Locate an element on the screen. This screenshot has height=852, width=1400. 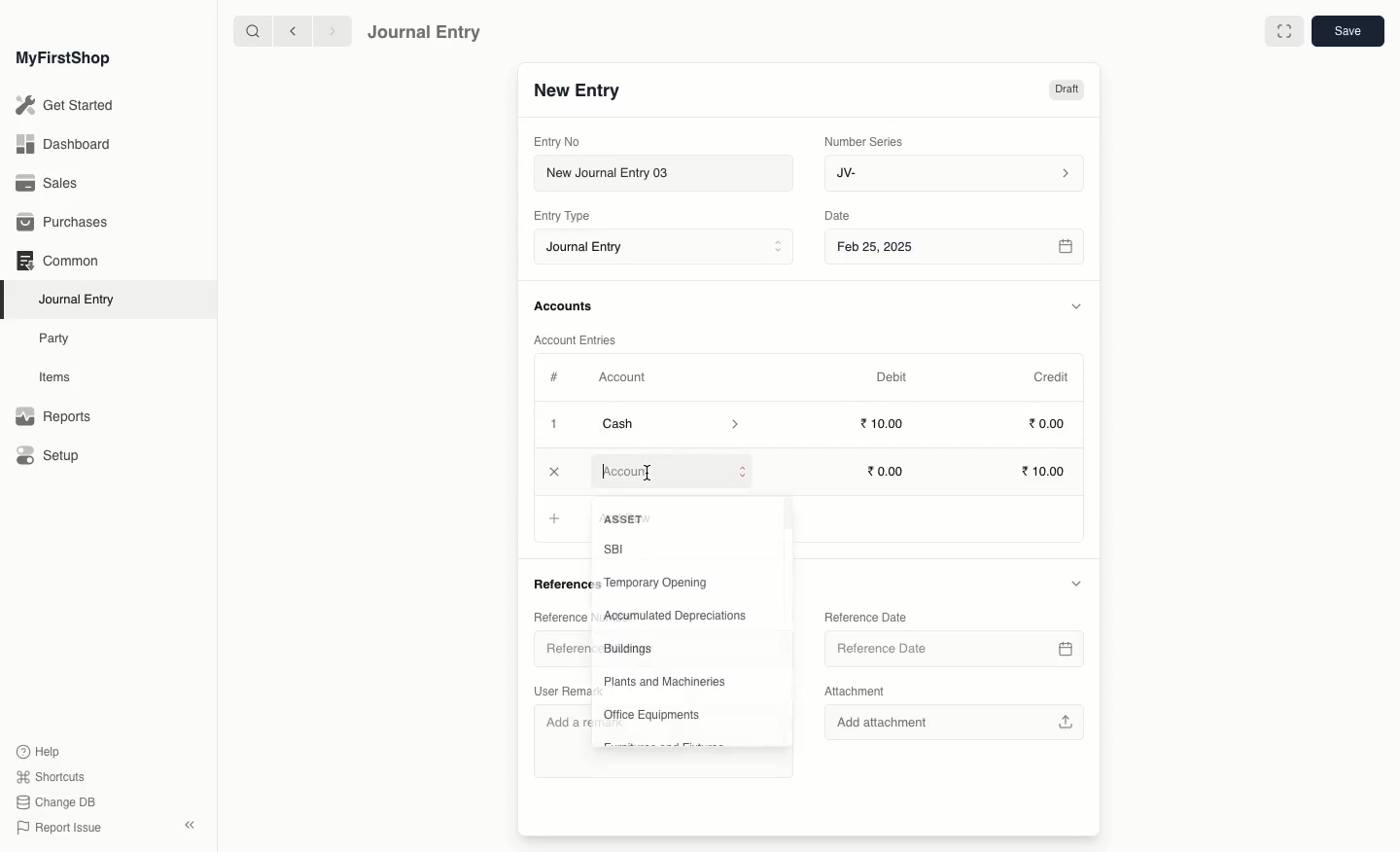
Hide is located at coordinates (1077, 306).